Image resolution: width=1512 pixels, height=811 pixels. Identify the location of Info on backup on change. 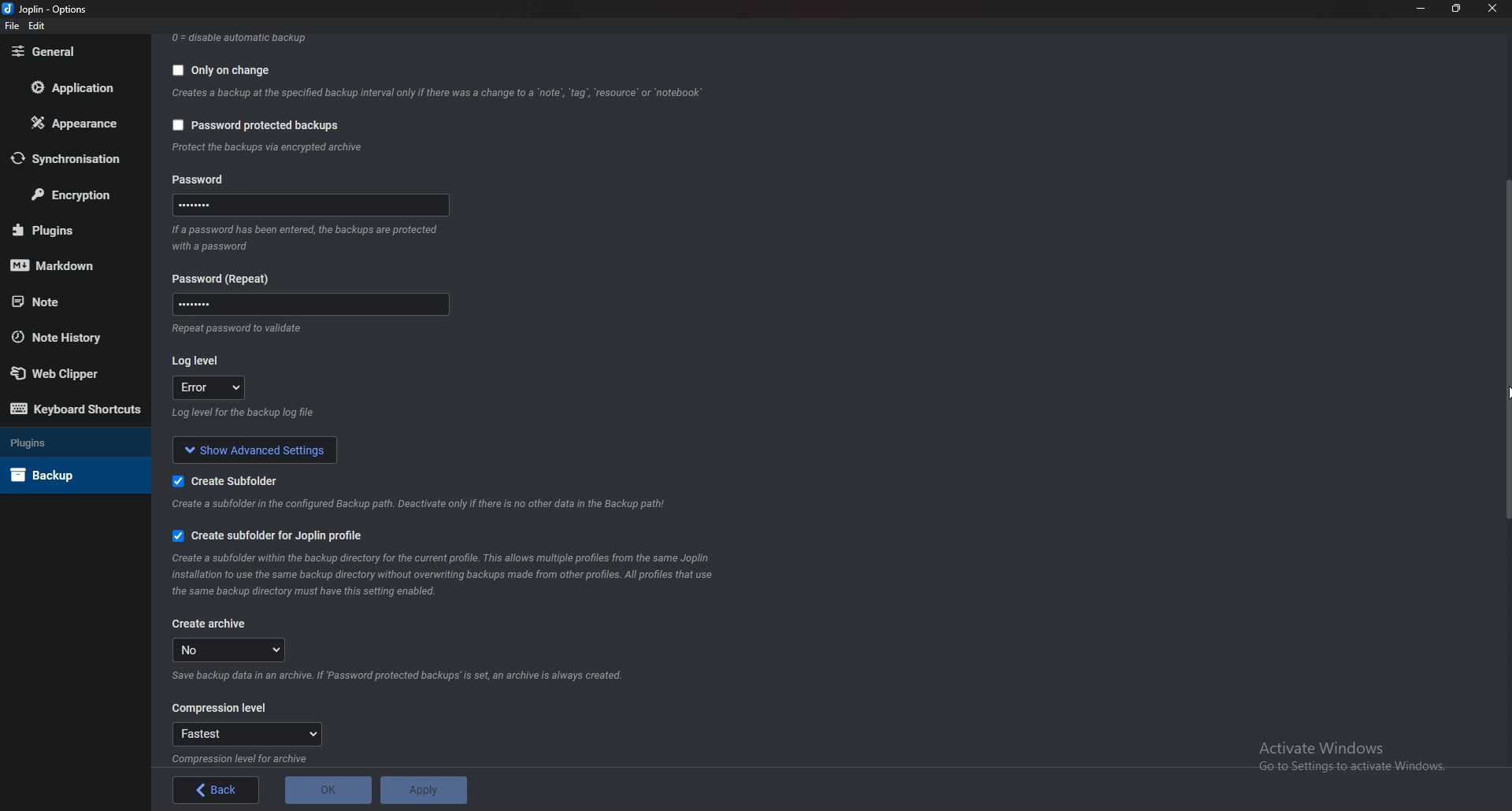
(435, 94).